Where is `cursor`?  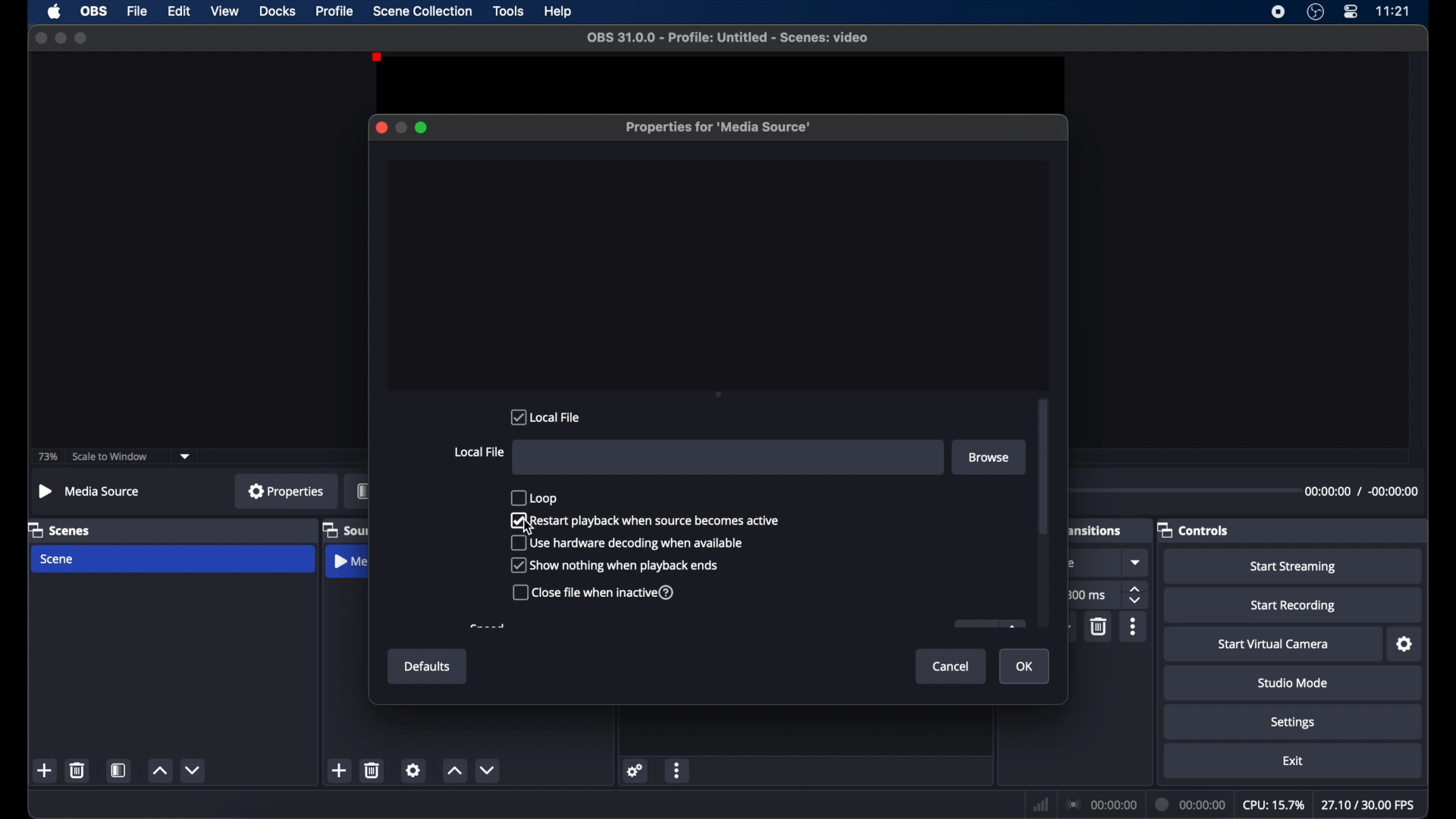 cursor is located at coordinates (526, 529).